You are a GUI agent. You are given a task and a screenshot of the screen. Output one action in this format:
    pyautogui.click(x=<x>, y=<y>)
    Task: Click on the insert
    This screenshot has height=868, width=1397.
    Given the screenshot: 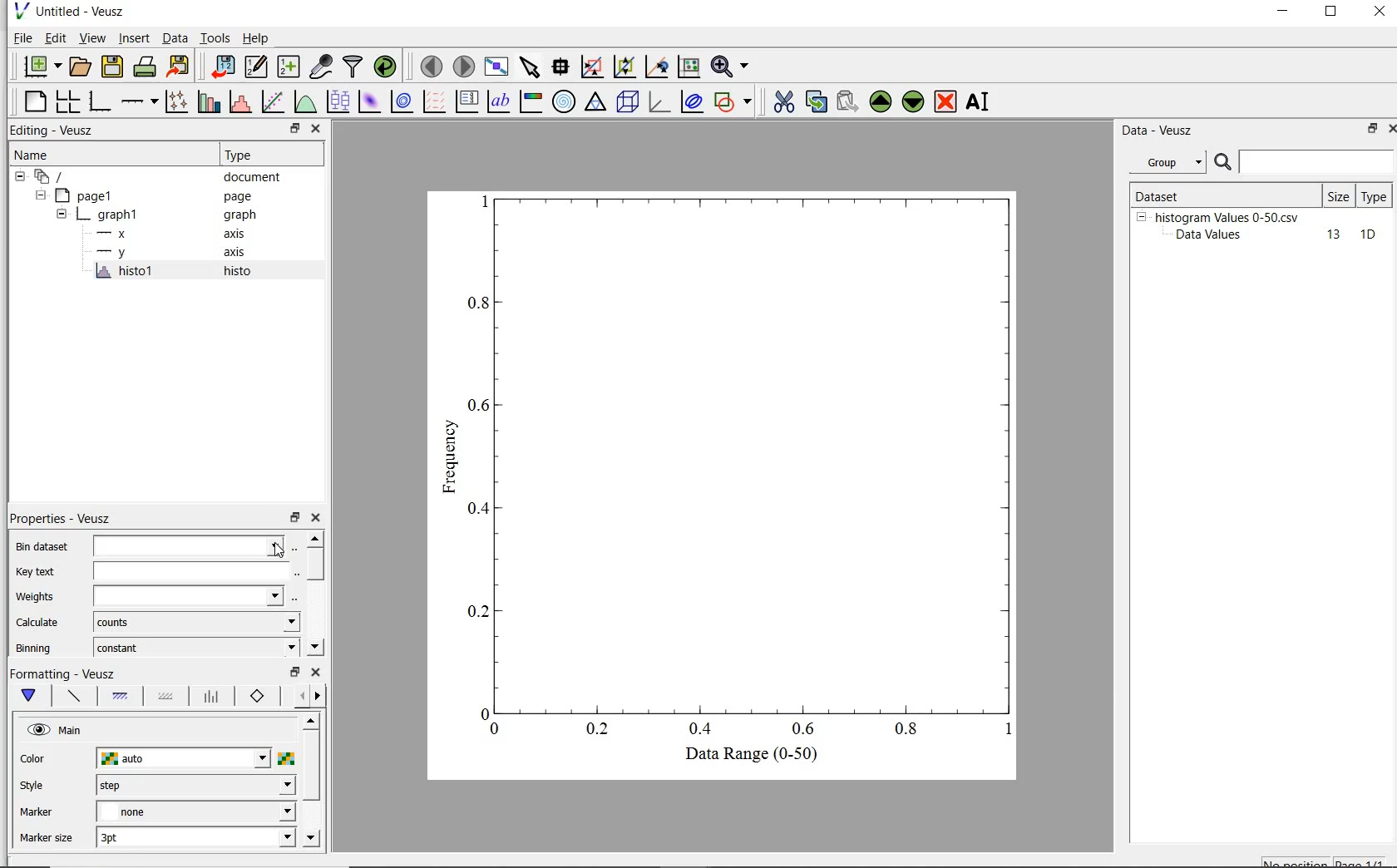 What is the action you would take?
    pyautogui.click(x=134, y=38)
    